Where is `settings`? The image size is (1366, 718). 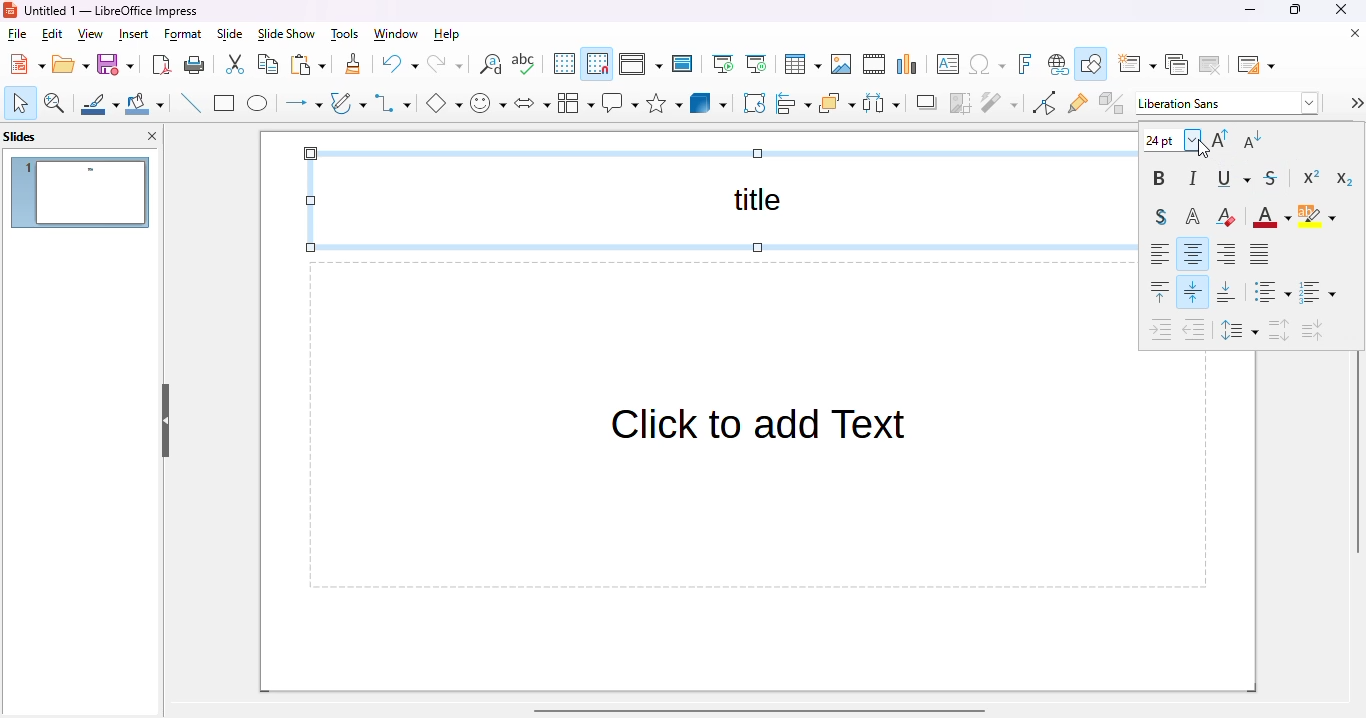
settings is located at coordinates (1355, 103).